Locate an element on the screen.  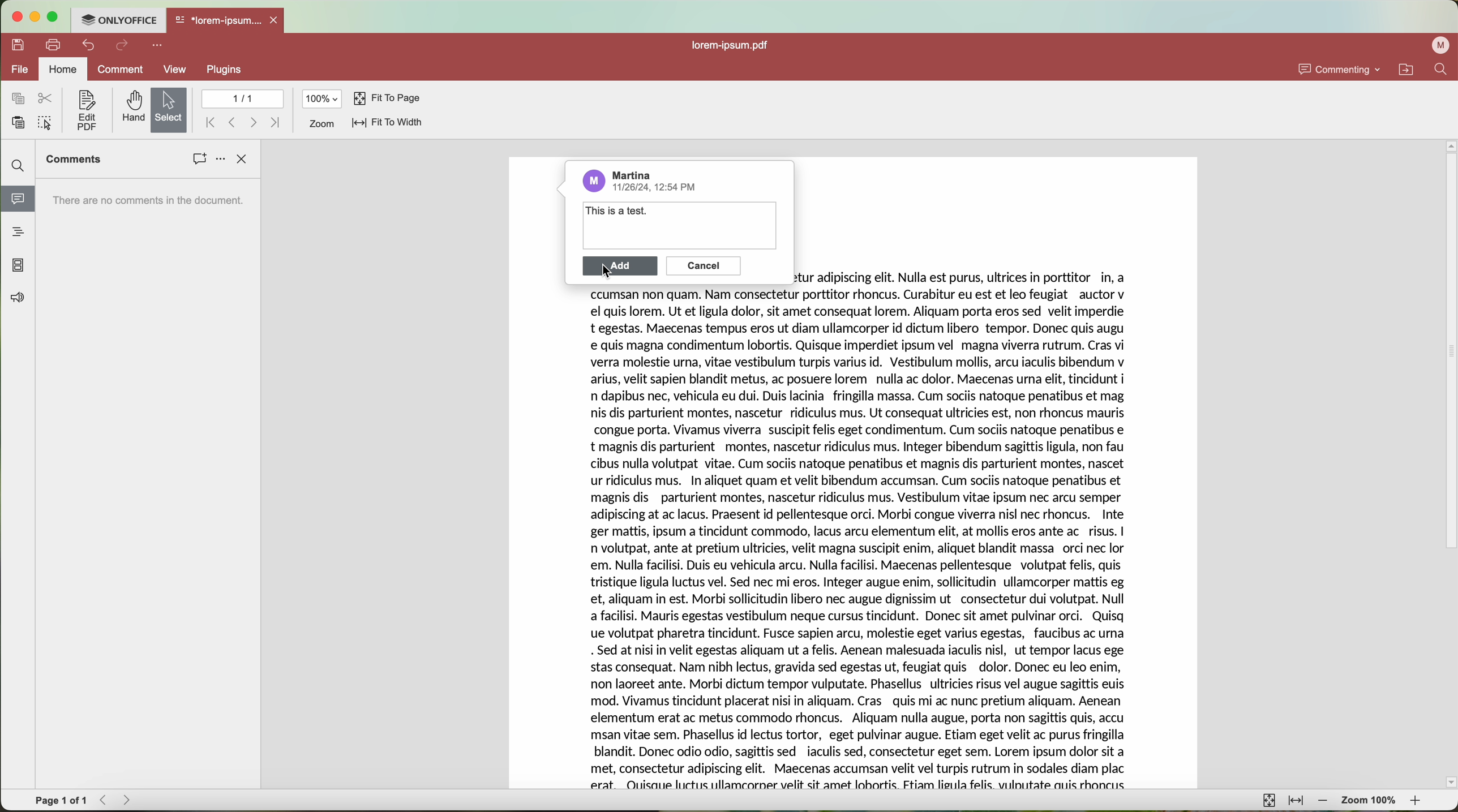
print is located at coordinates (53, 46).